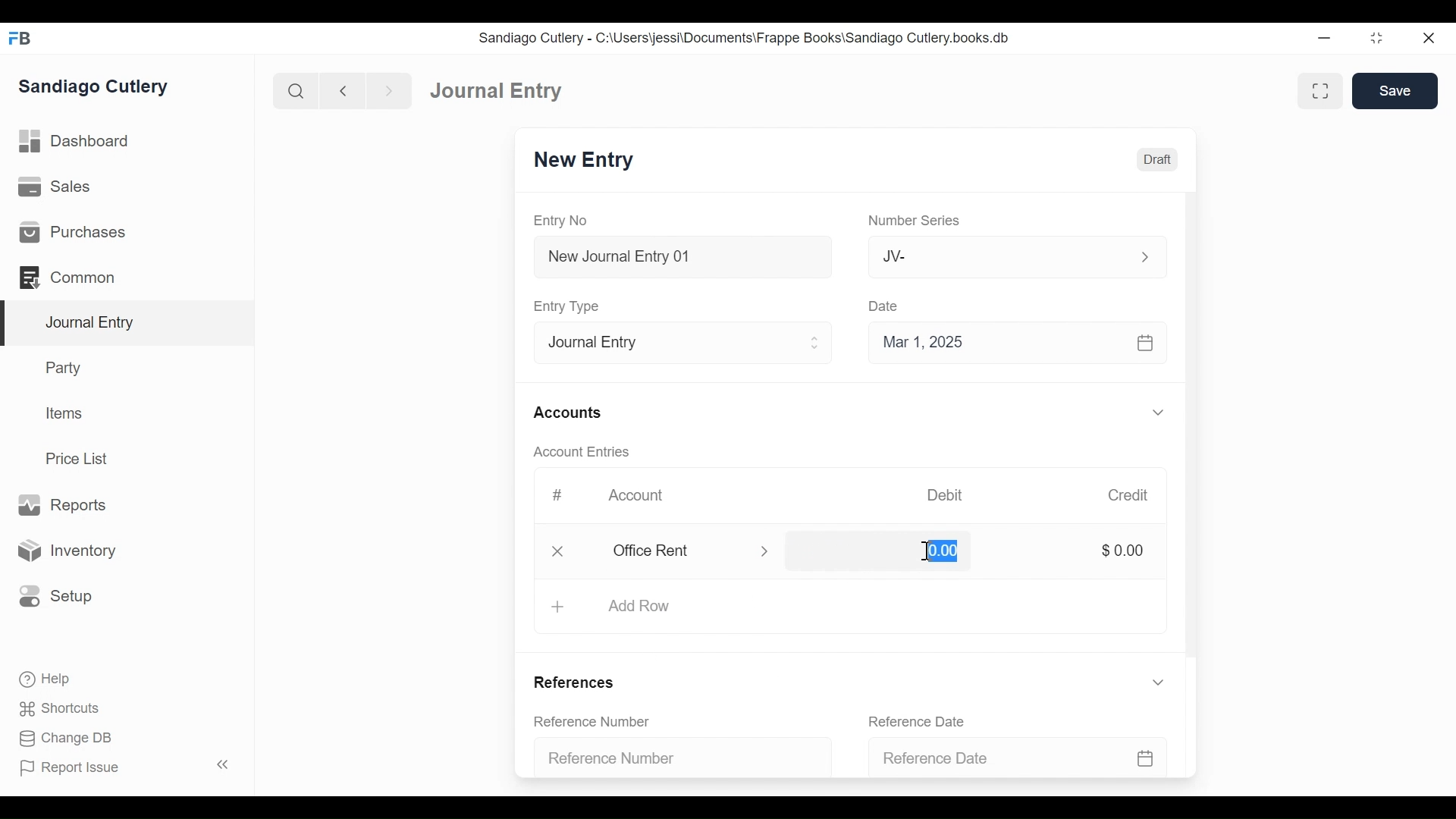 The image size is (1456, 819). I want to click on References, so click(580, 685).